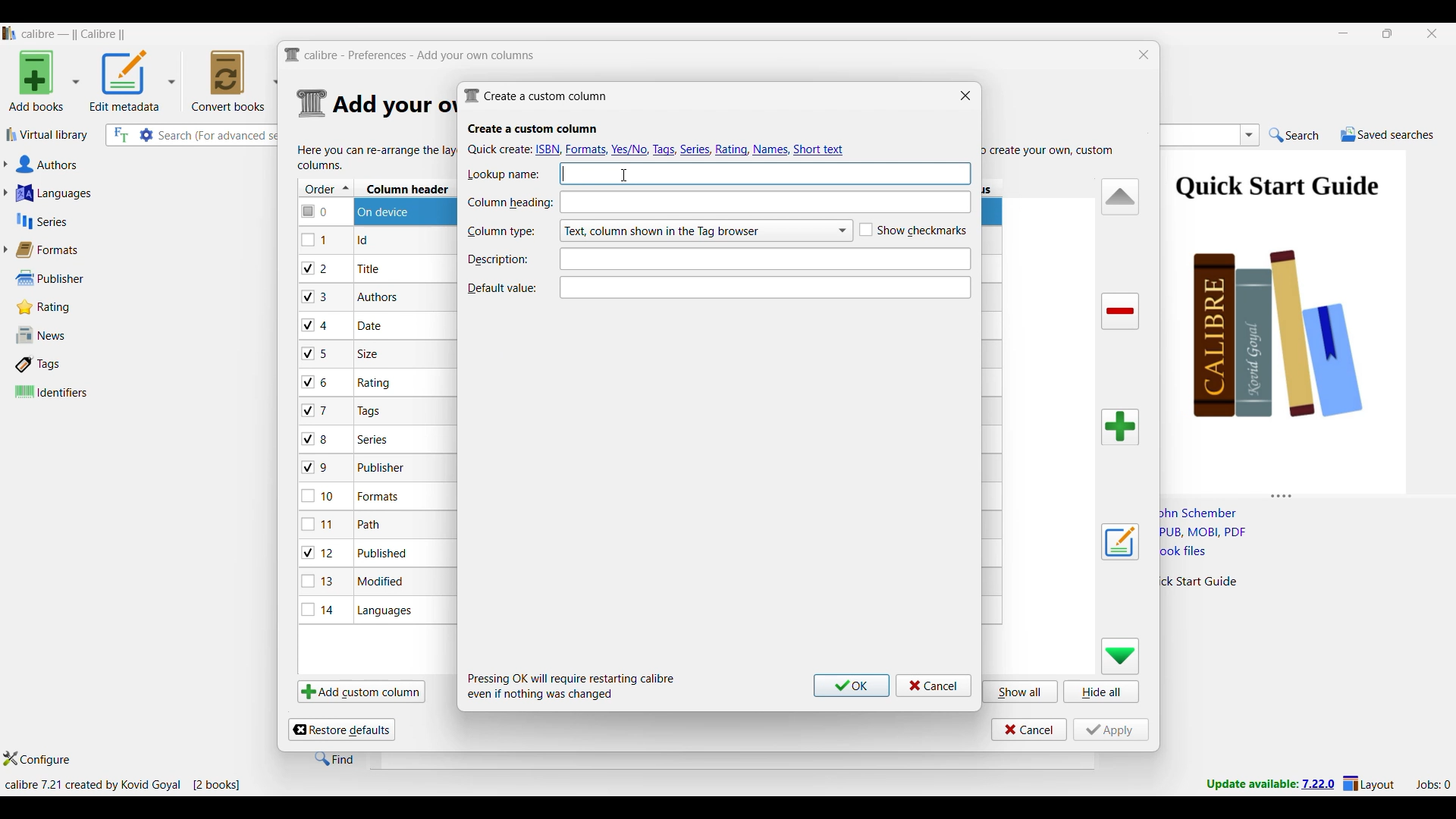 The image size is (1456, 819). I want to click on Add column, so click(1120, 427).